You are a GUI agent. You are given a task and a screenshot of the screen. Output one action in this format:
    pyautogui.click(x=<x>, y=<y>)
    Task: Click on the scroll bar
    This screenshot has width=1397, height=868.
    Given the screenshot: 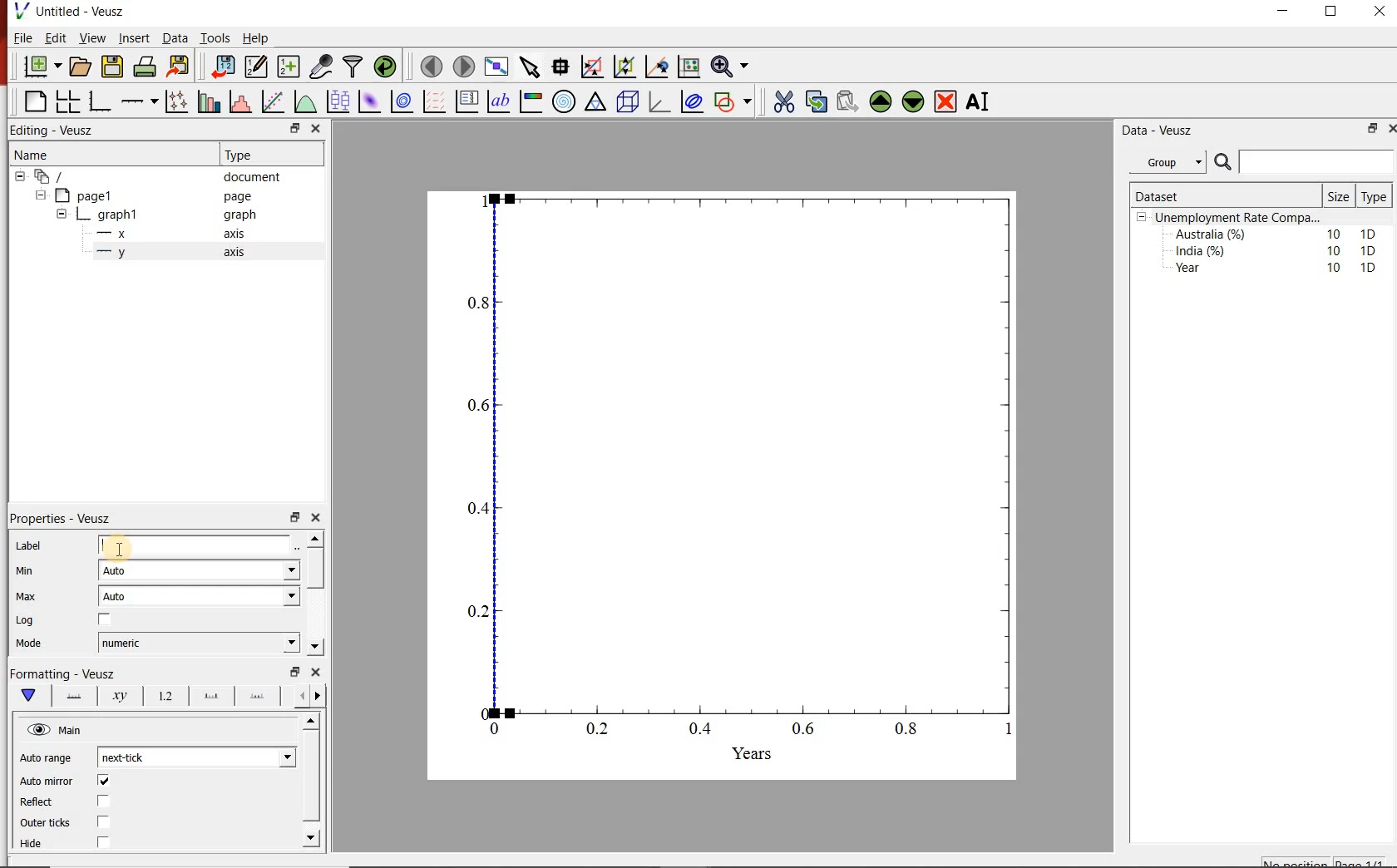 What is the action you would take?
    pyautogui.click(x=312, y=776)
    